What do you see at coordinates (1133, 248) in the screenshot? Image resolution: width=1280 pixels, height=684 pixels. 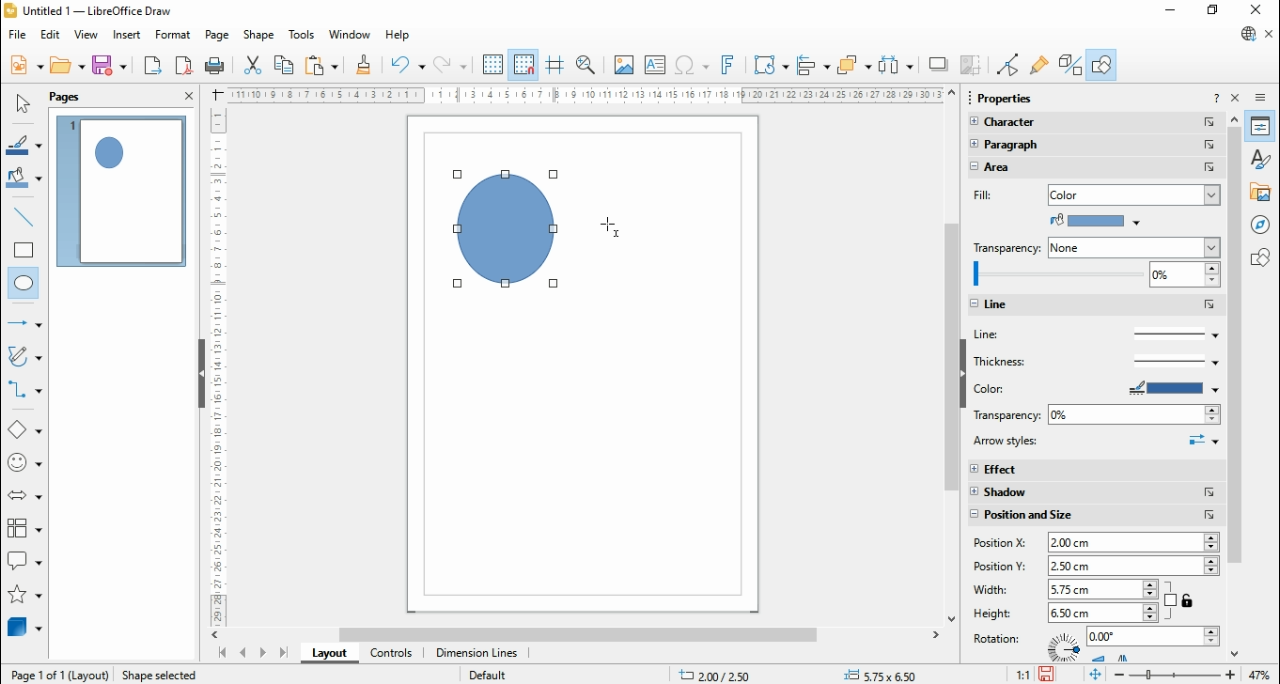 I see `none` at bounding box center [1133, 248].